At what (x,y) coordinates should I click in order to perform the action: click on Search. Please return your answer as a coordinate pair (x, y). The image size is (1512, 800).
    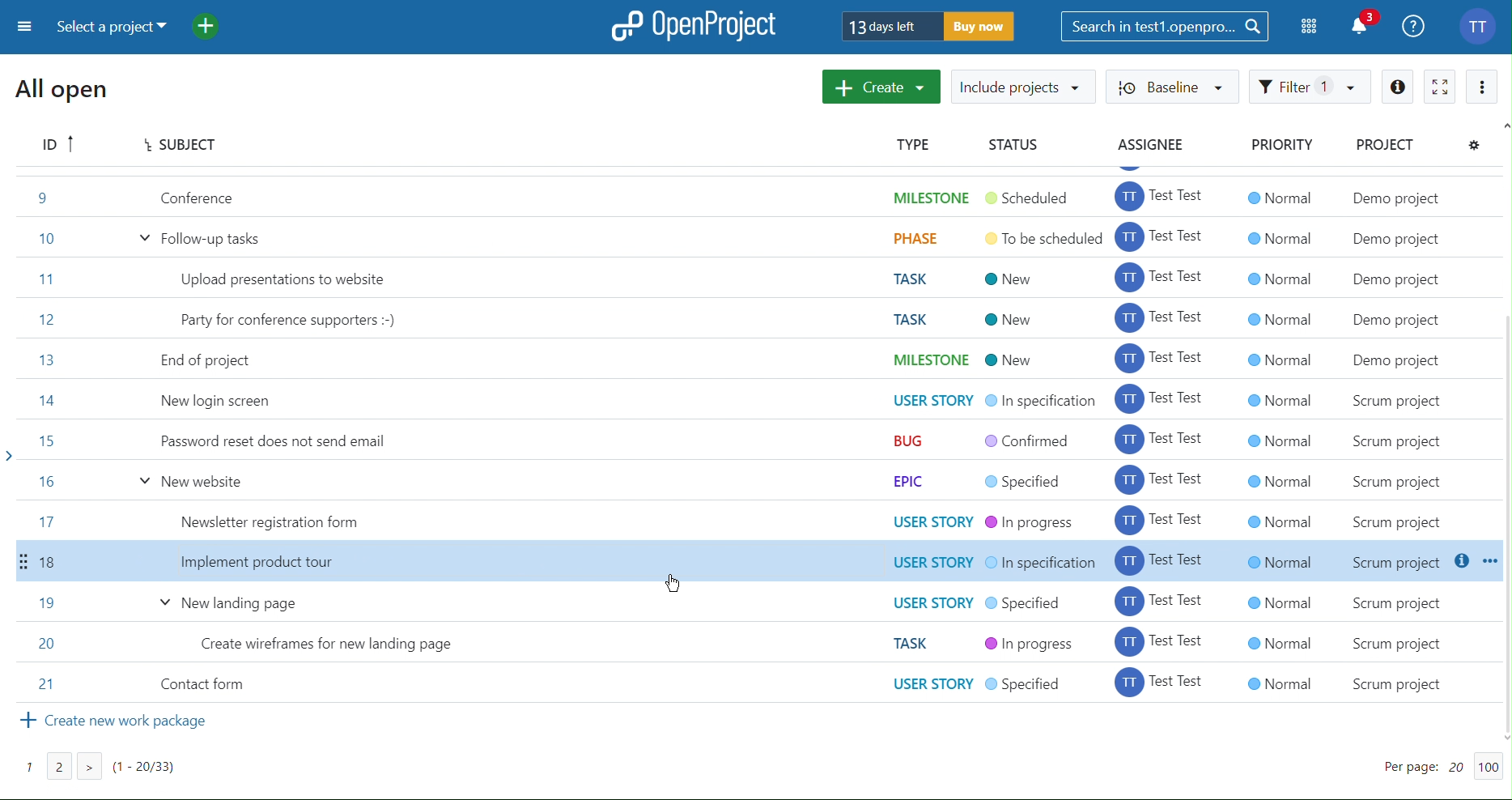
    Looking at the image, I should click on (1166, 26).